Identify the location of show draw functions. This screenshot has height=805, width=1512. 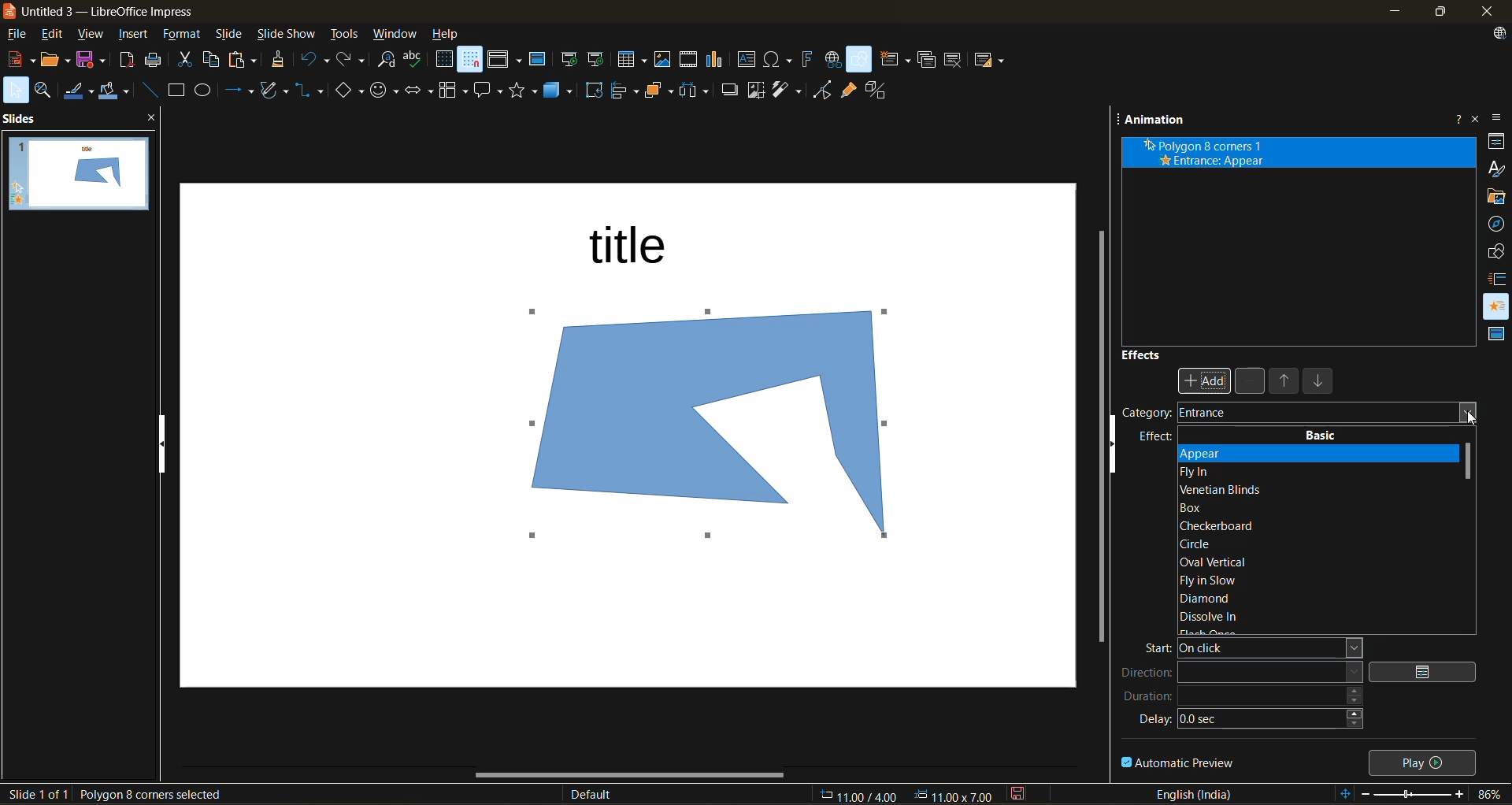
(860, 60).